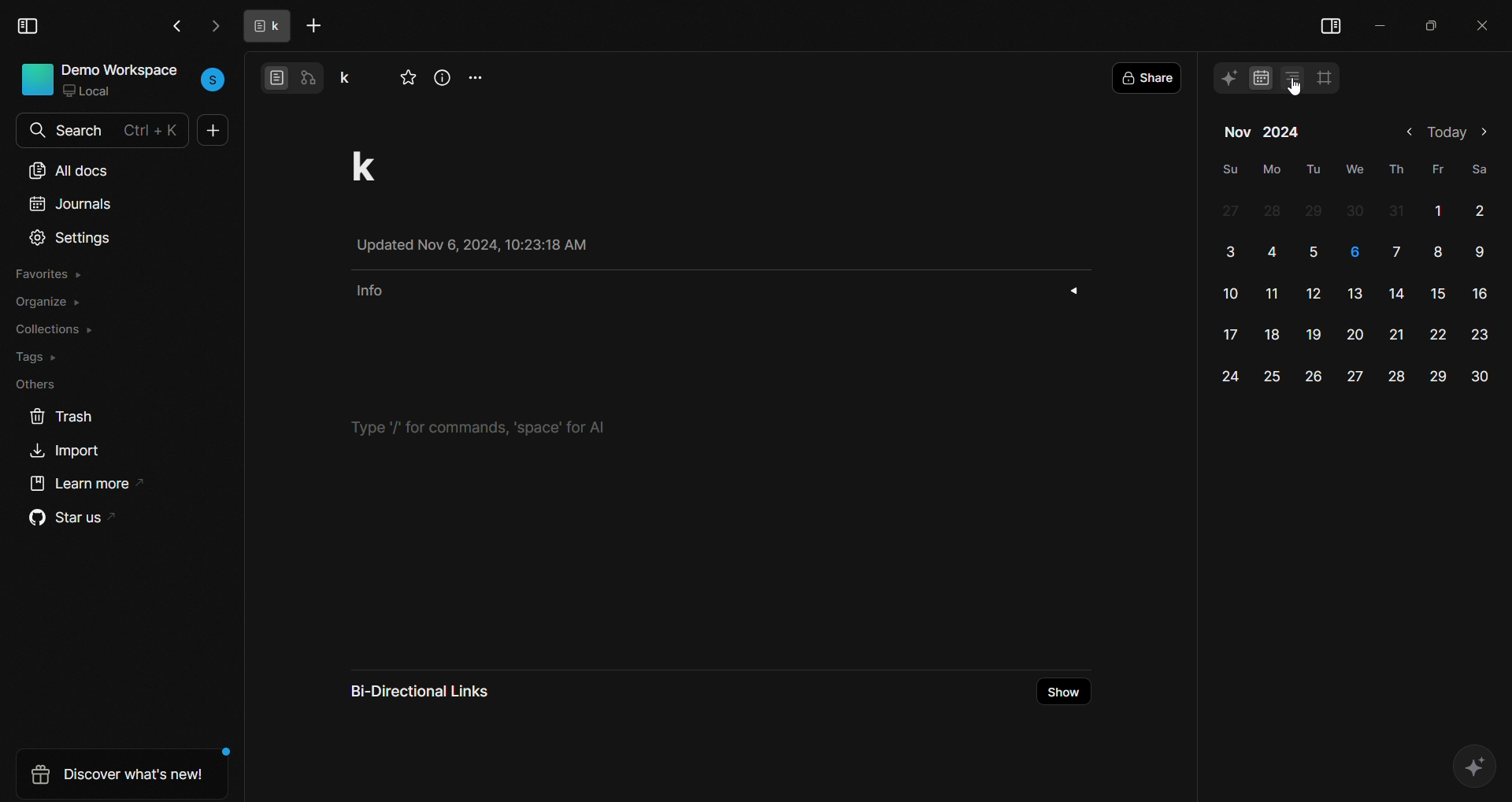 The width and height of the screenshot is (1512, 802). What do you see at coordinates (60, 414) in the screenshot?
I see `trash` at bounding box center [60, 414].